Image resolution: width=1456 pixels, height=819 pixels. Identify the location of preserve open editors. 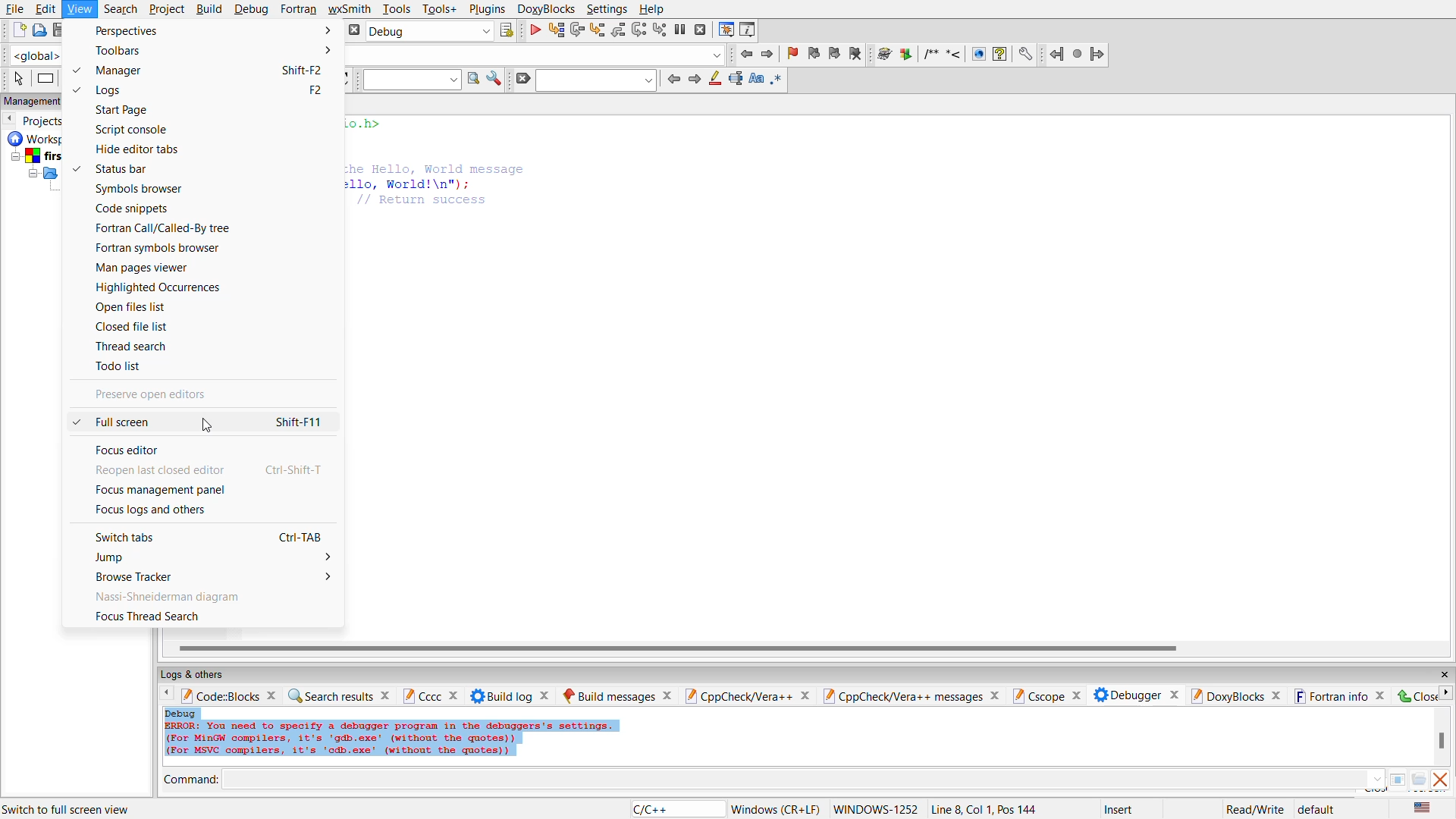
(175, 396).